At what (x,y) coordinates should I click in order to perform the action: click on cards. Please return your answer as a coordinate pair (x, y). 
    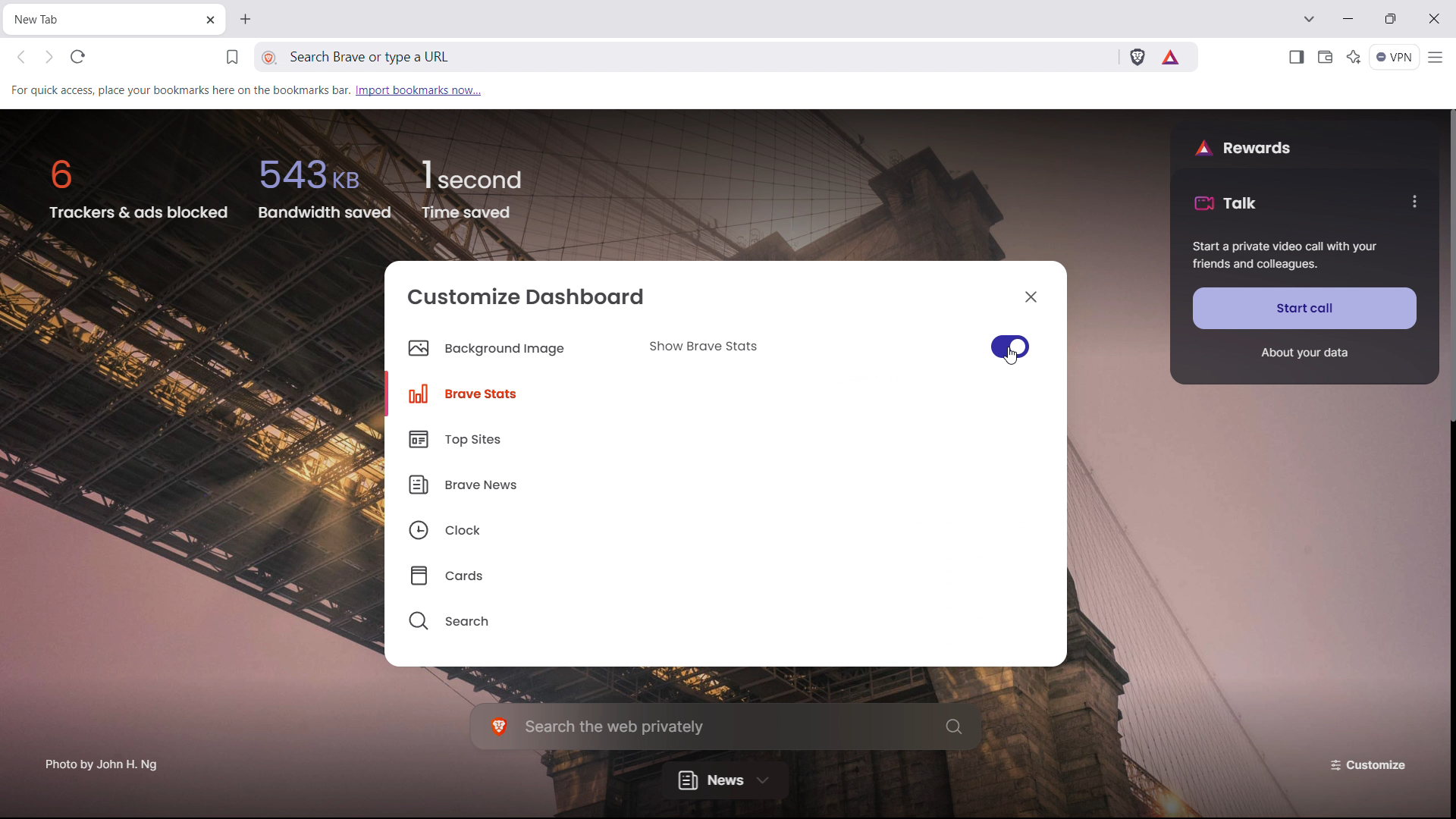
    Looking at the image, I should click on (507, 571).